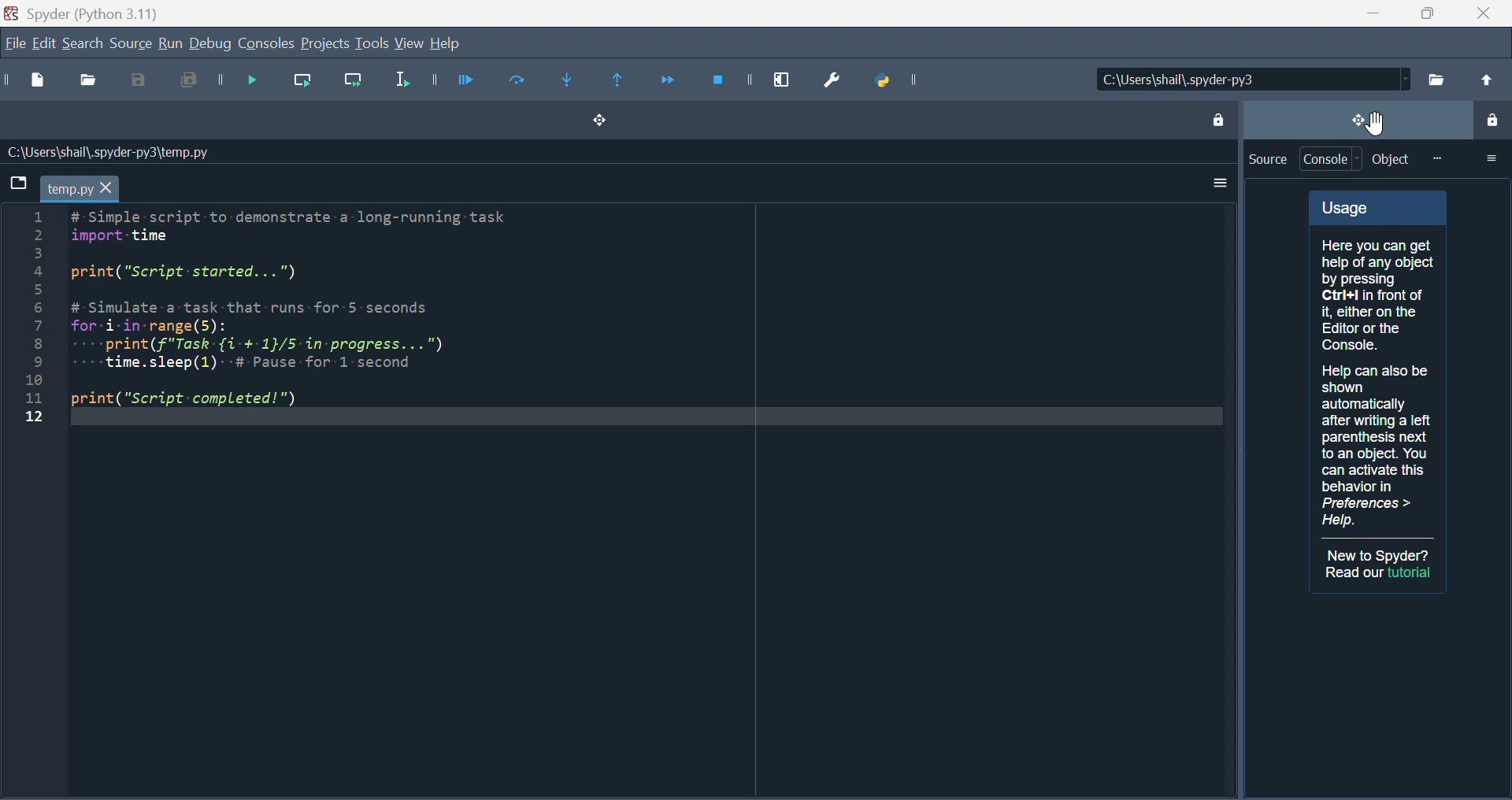 This screenshot has height=800, width=1512. I want to click on Close, so click(1482, 13).